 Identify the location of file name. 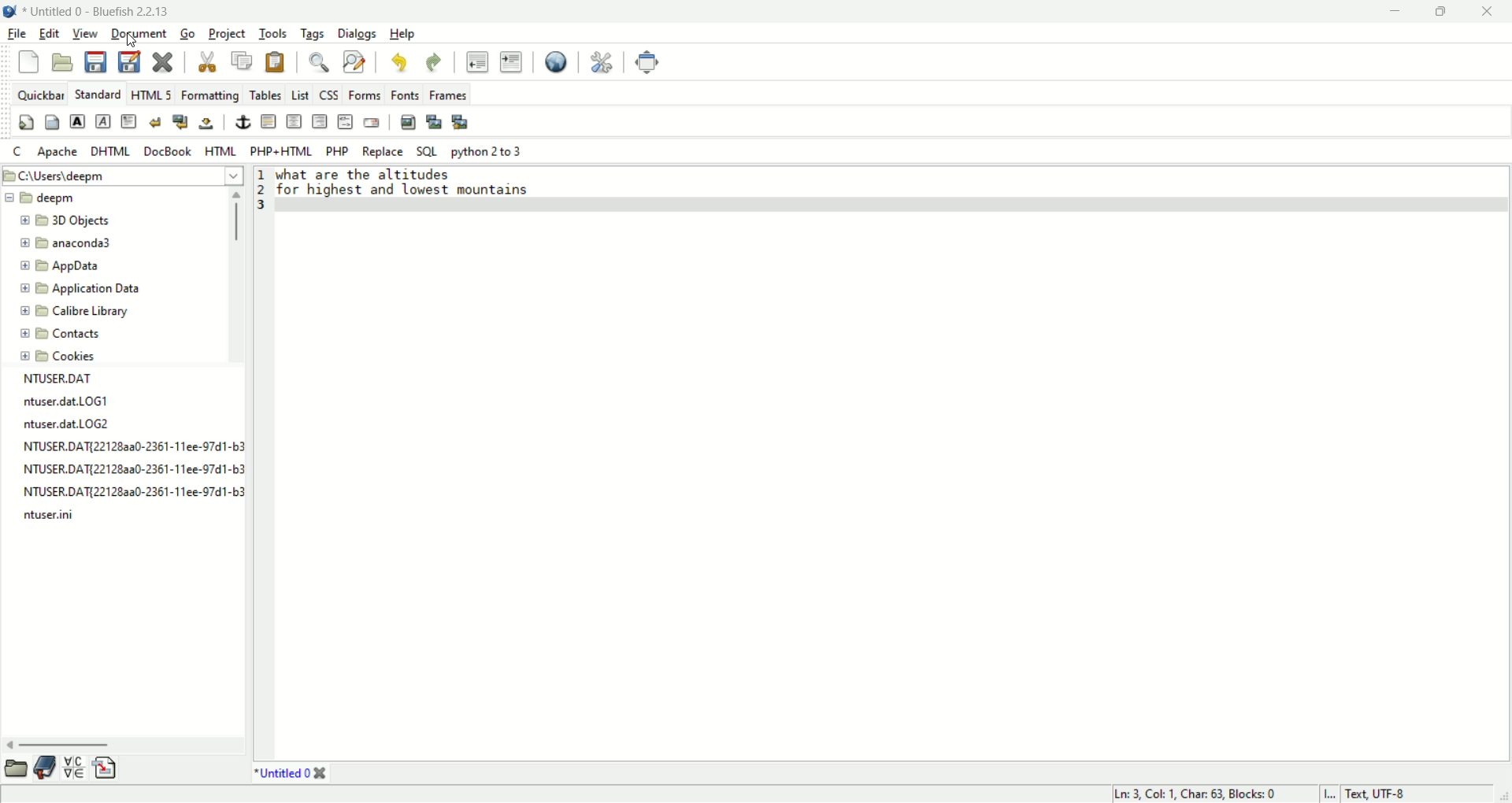
(55, 519).